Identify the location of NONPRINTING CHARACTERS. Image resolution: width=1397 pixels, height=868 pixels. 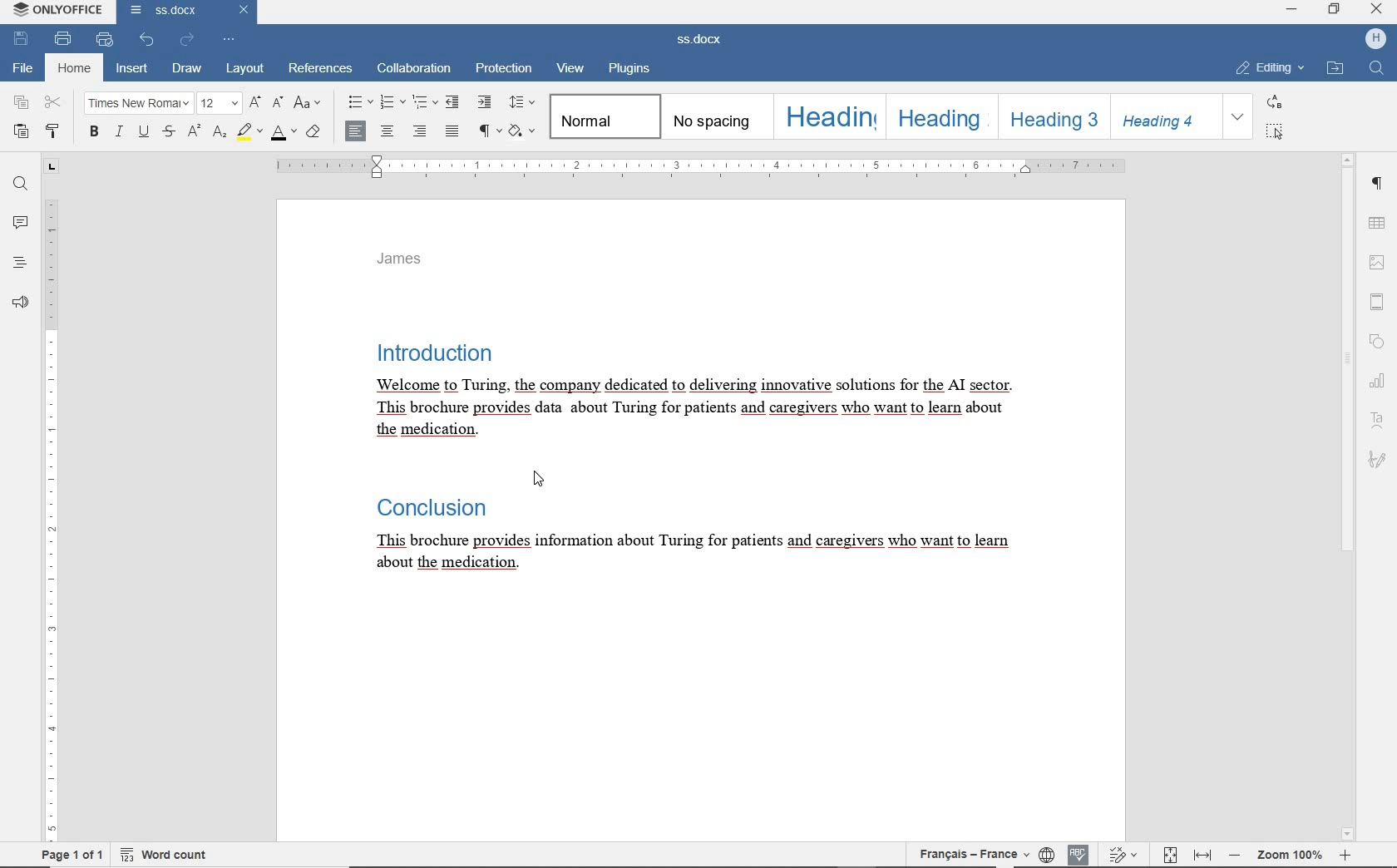
(487, 131).